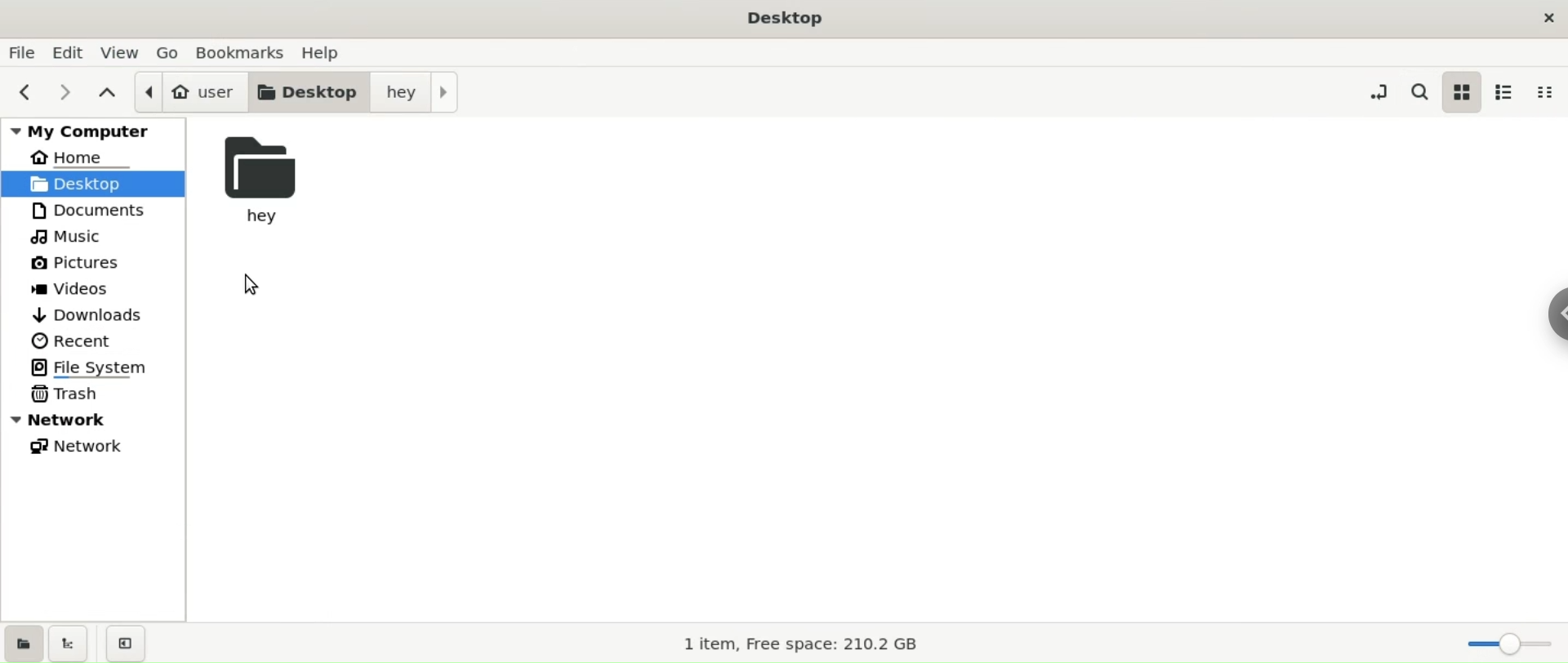  What do you see at coordinates (74, 643) in the screenshot?
I see `show treeview` at bounding box center [74, 643].